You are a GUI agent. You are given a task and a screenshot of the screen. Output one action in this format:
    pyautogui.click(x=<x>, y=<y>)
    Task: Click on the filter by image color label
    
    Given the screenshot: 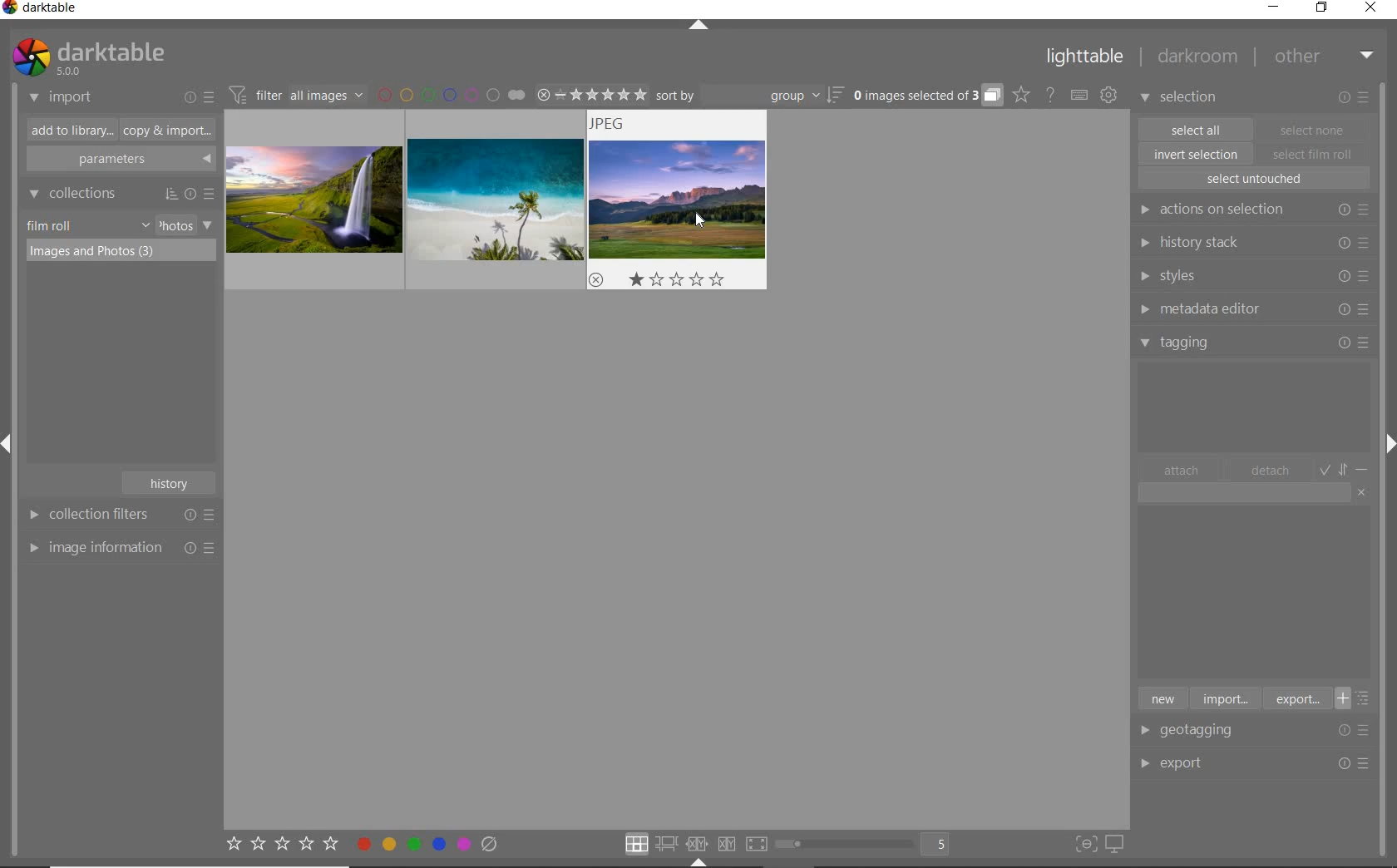 What is the action you would take?
    pyautogui.click(x=451, y=94)
    